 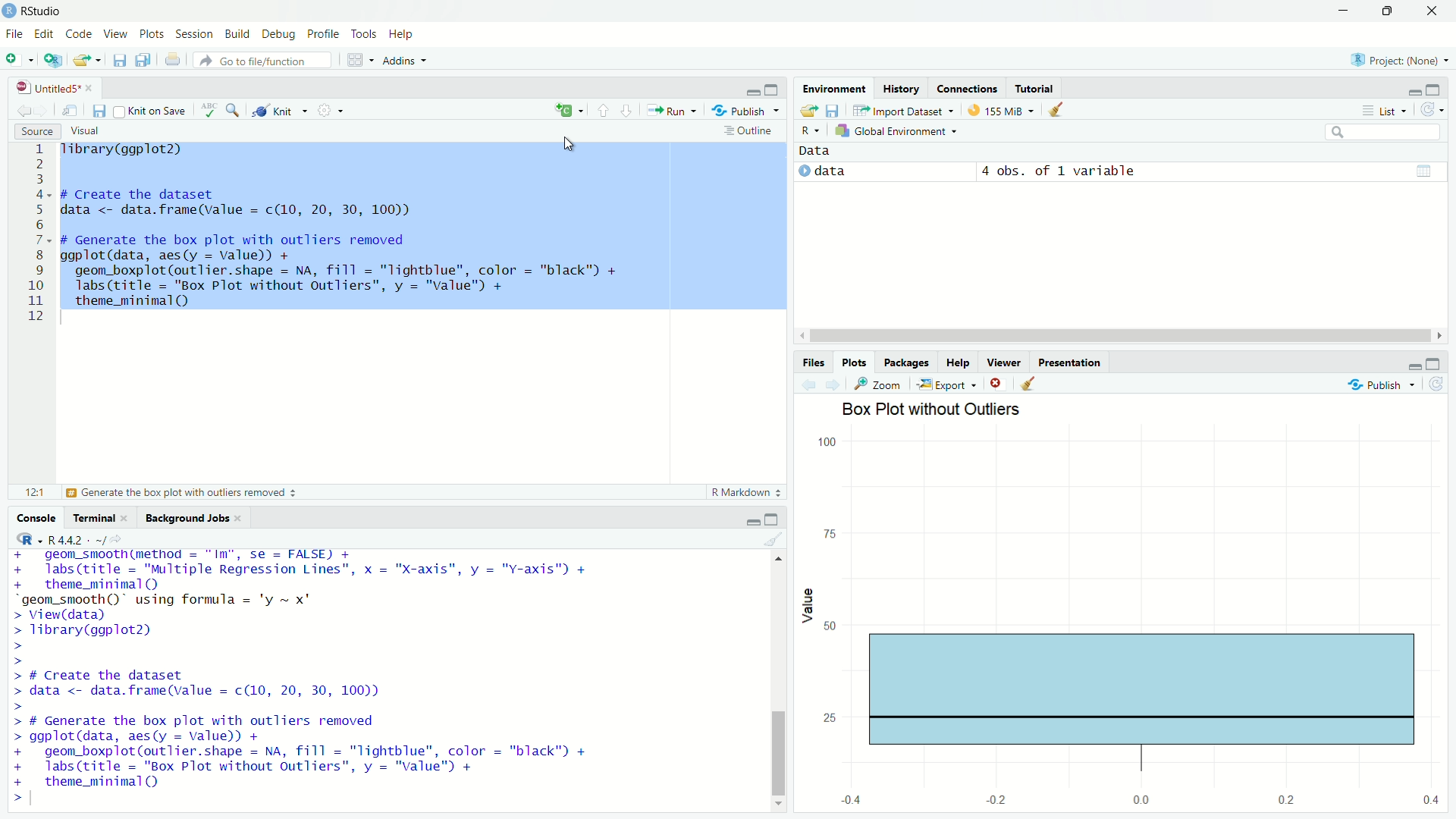 What do you see at coordinates (904, 362) in the screenshot?
I see `Packages` at bounding box center [904, 362].